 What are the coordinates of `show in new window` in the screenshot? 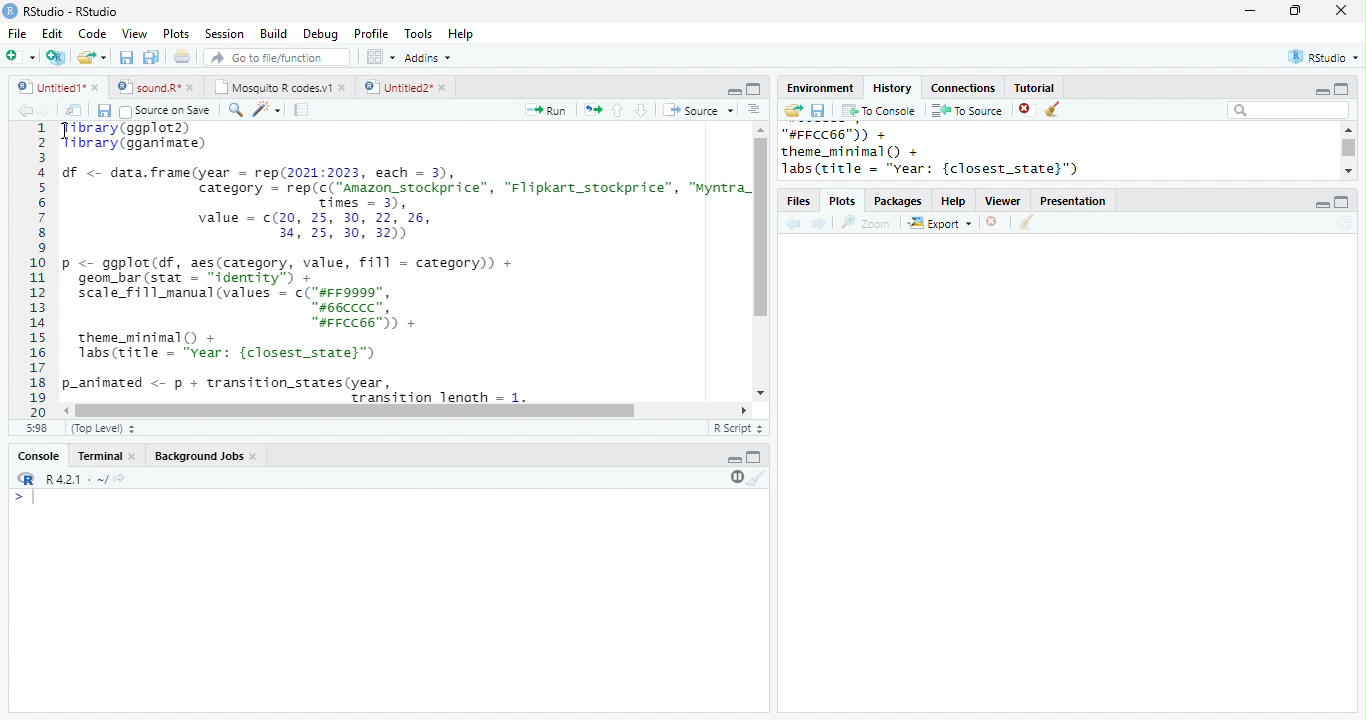 It's located at (74, 110).